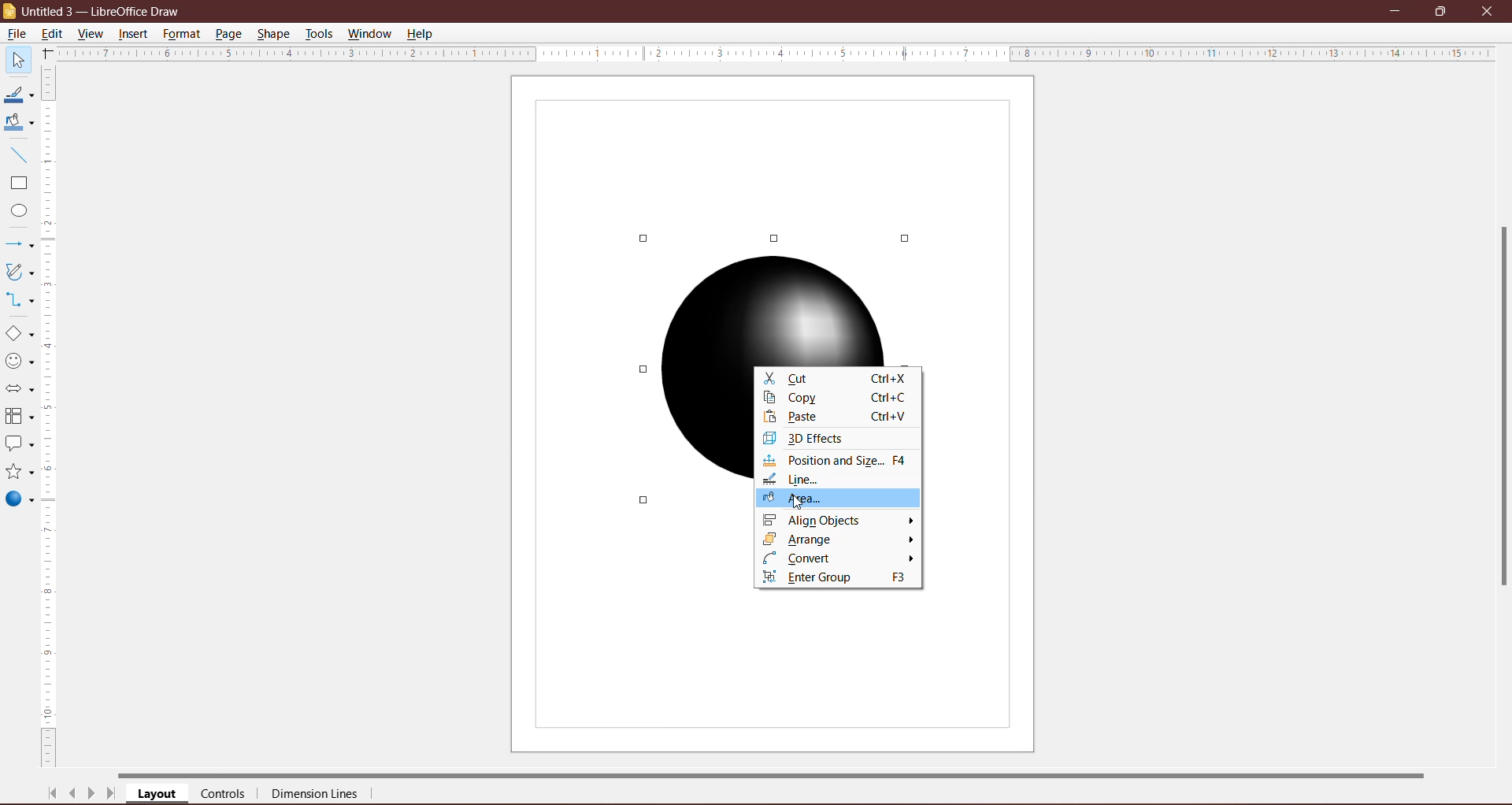  Describe the element at coordinates (838, 559) in the screenshot. I see `Convert` at that location.